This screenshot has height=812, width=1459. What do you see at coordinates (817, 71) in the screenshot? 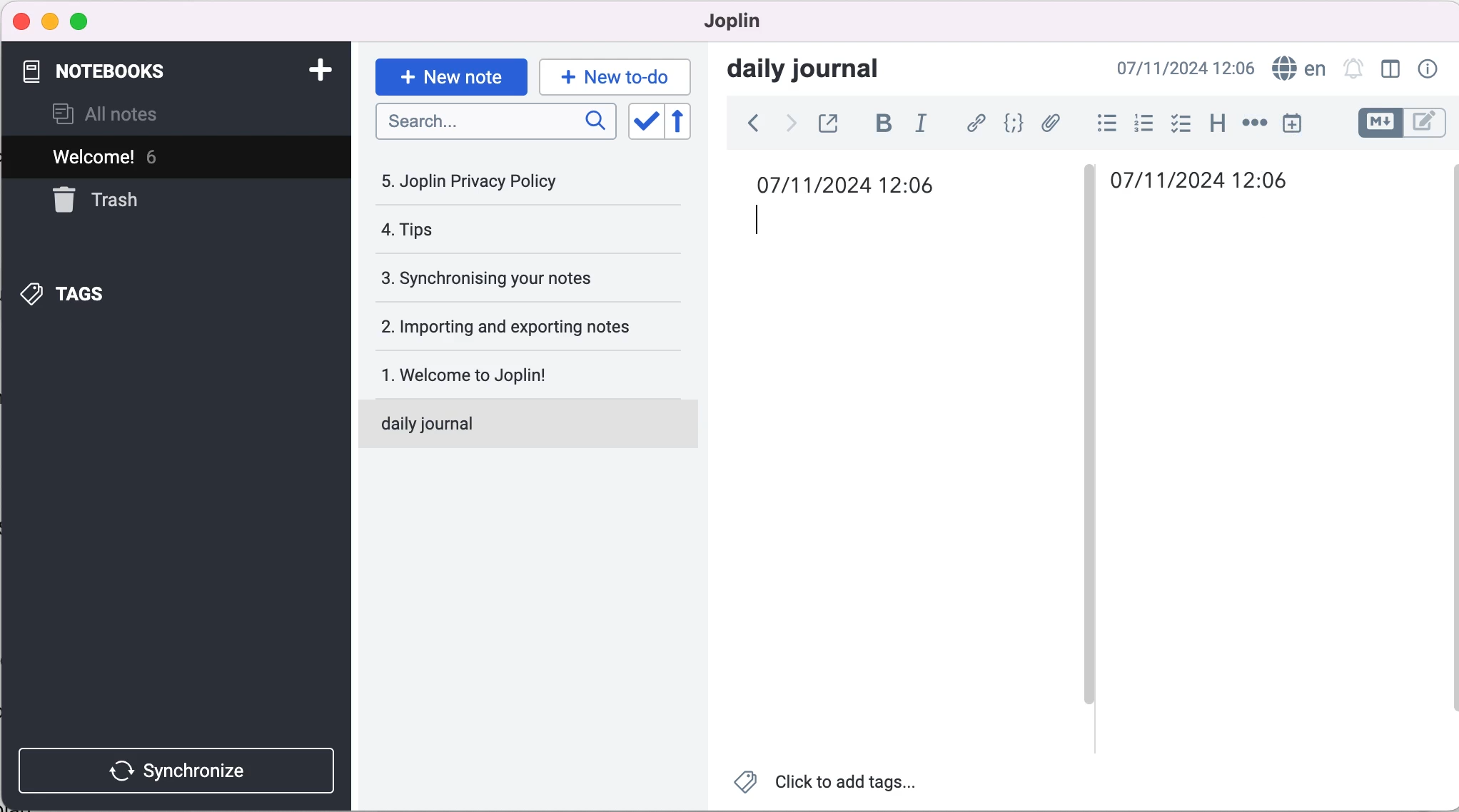
I see `daily journal` at bounding box center [817, 71].